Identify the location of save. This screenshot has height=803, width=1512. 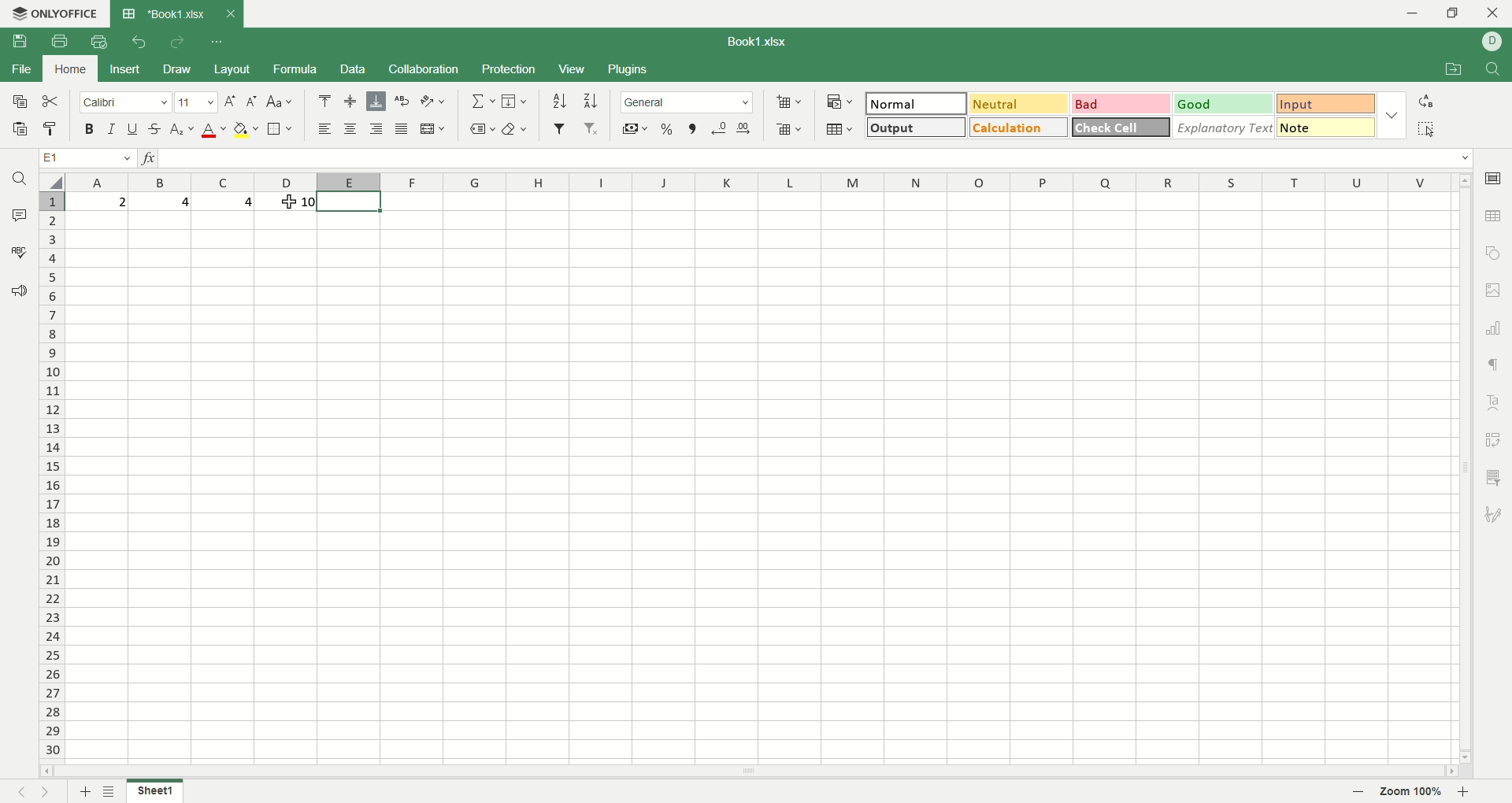
(20, 102).